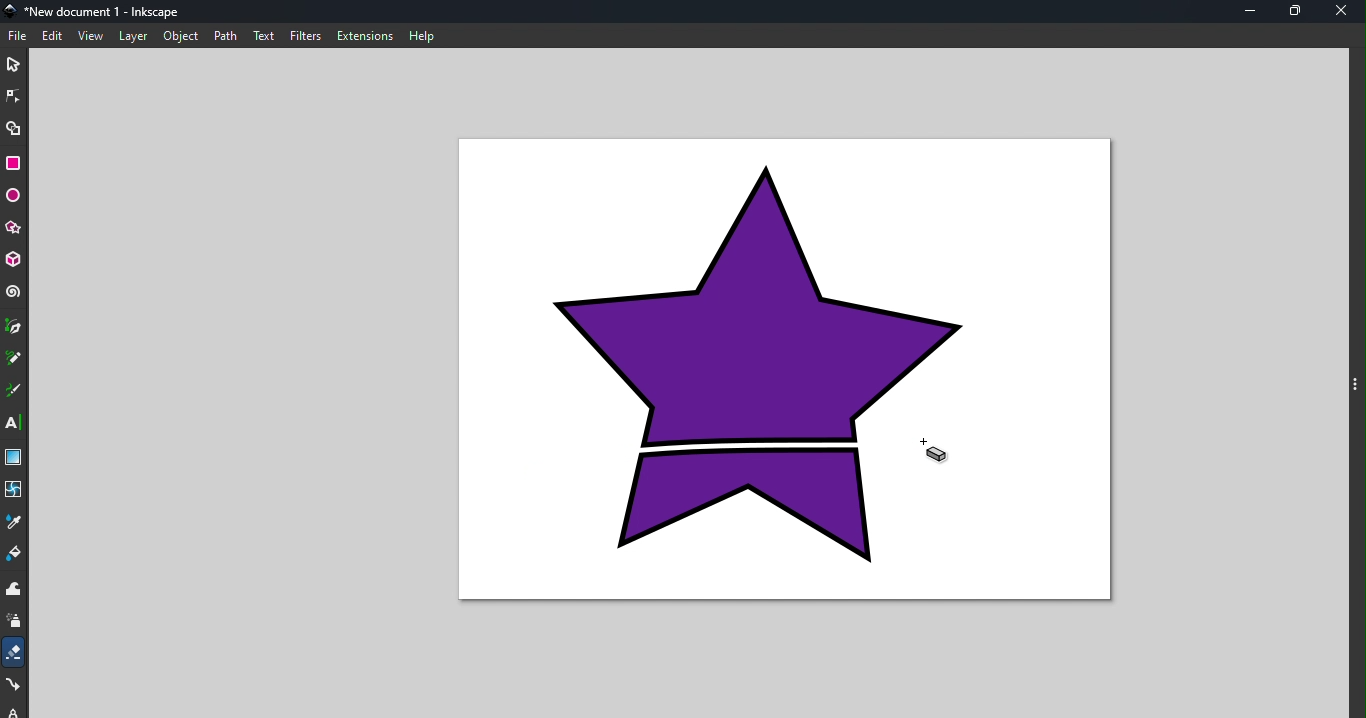  Describe the element at coordinates (307, 36) in the screenshot. I see `filters` at that location.